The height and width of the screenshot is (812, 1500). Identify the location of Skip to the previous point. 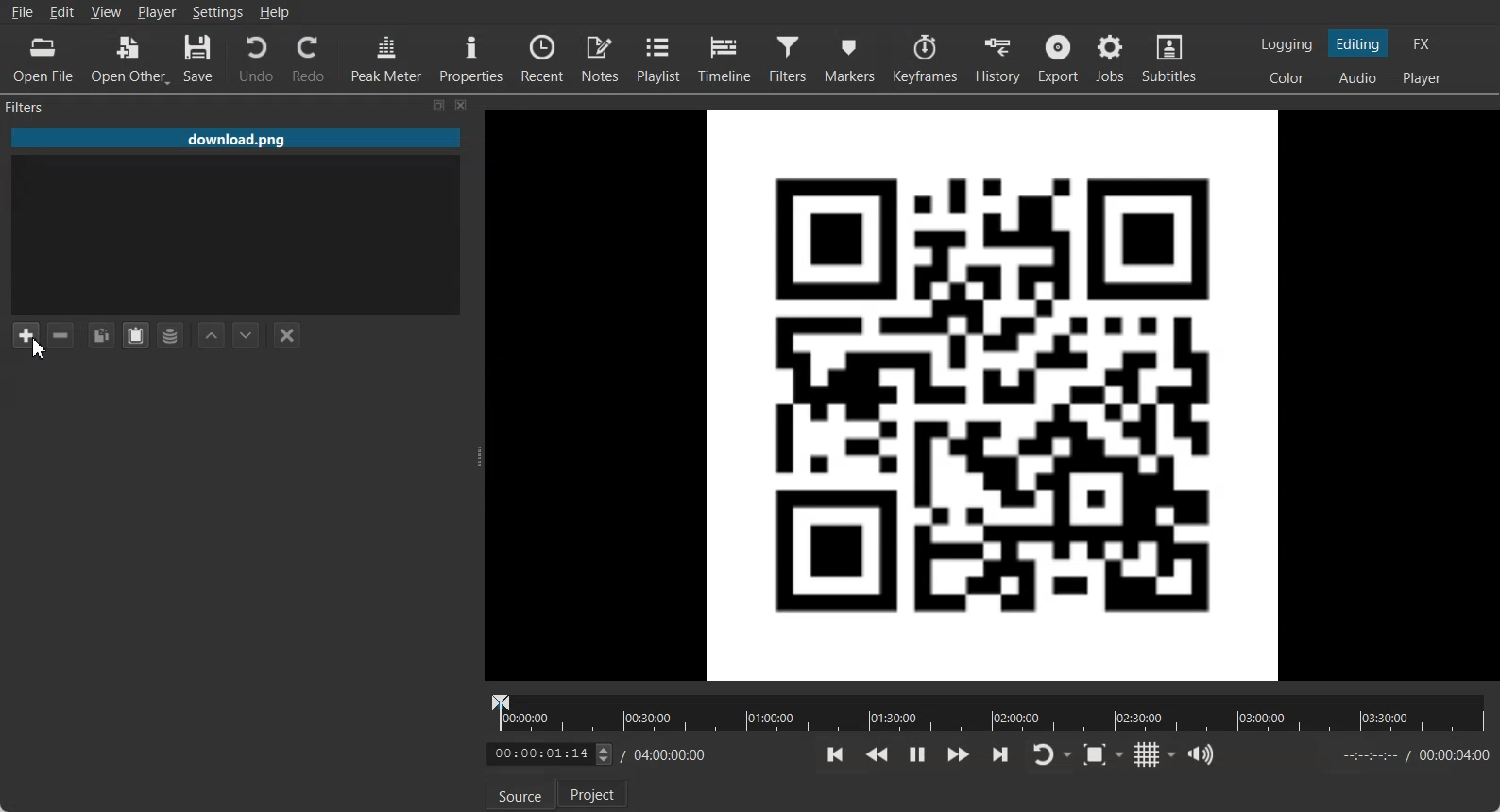
(836, 753).